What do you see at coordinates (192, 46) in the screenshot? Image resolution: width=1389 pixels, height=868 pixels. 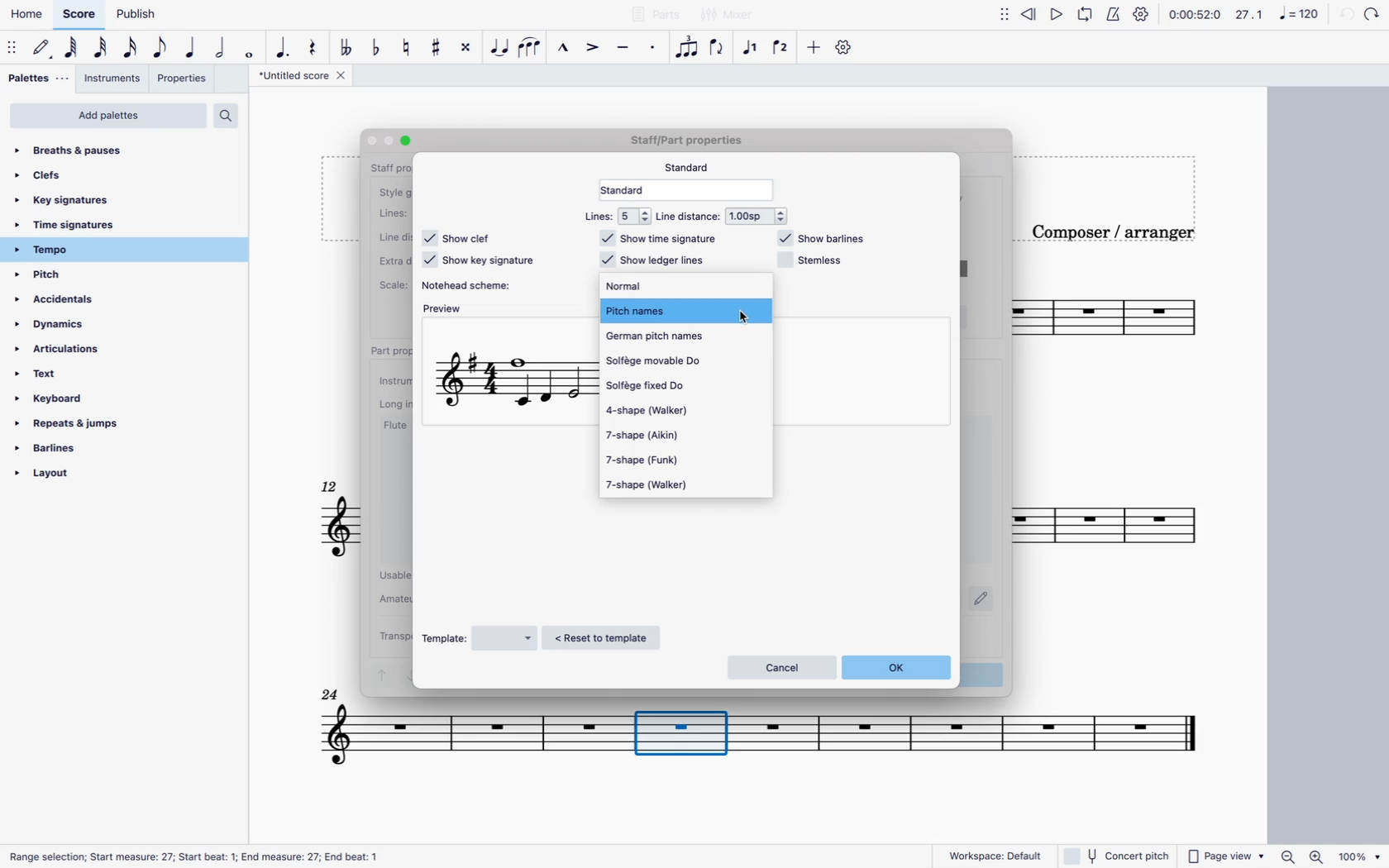 I see `quarter note` at bounding box center [192, 46].